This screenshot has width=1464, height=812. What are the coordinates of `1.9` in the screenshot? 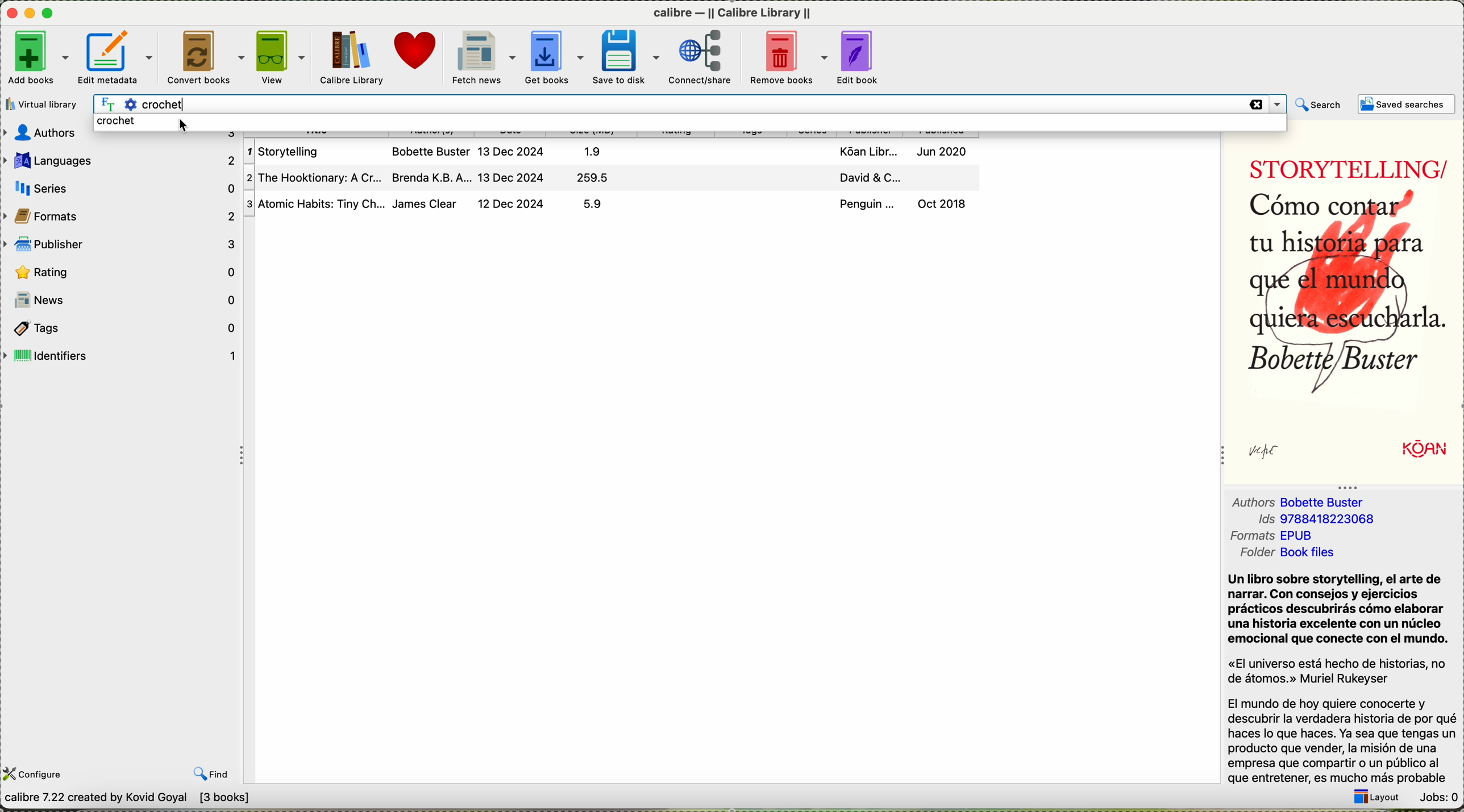 It's located at (598, 150).